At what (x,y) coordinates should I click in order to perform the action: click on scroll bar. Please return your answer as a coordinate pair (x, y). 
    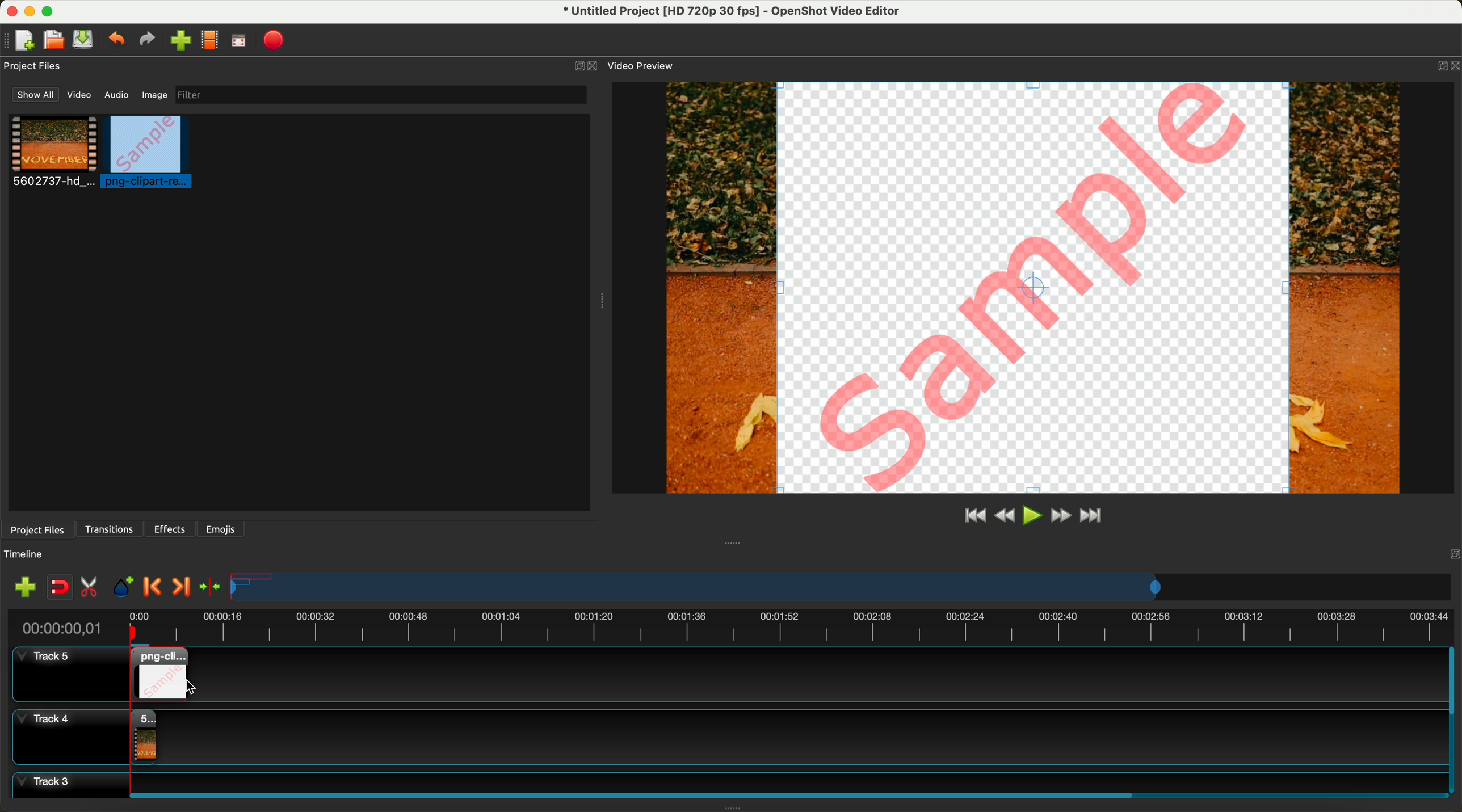
    Looking at the image, I should click on (1453, 720).